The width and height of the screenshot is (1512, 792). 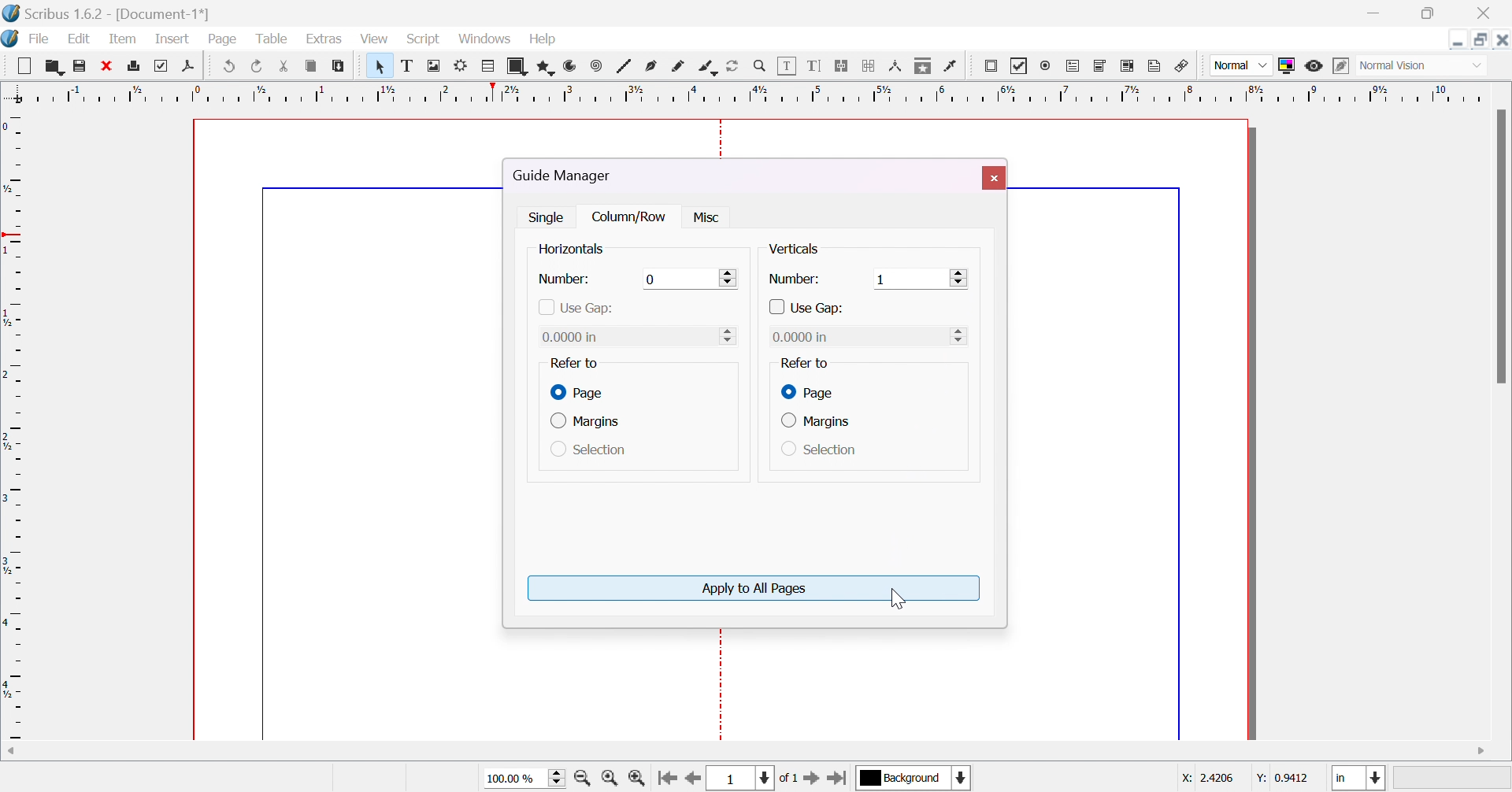 I want to click on render frame, so click(x=464, y=65).